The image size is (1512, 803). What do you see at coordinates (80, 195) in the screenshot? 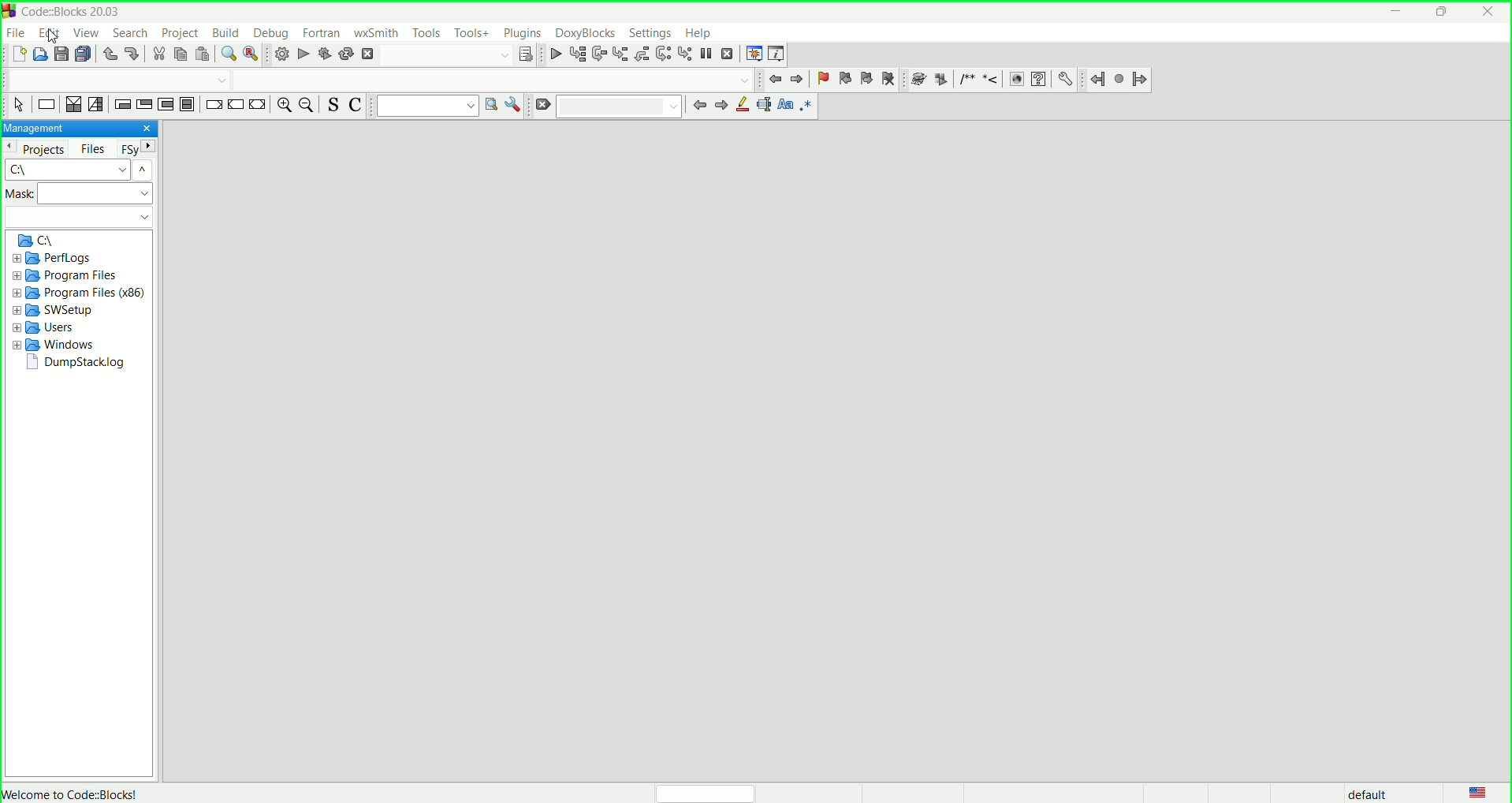
I see `masic` at bounding box center [80, 195].